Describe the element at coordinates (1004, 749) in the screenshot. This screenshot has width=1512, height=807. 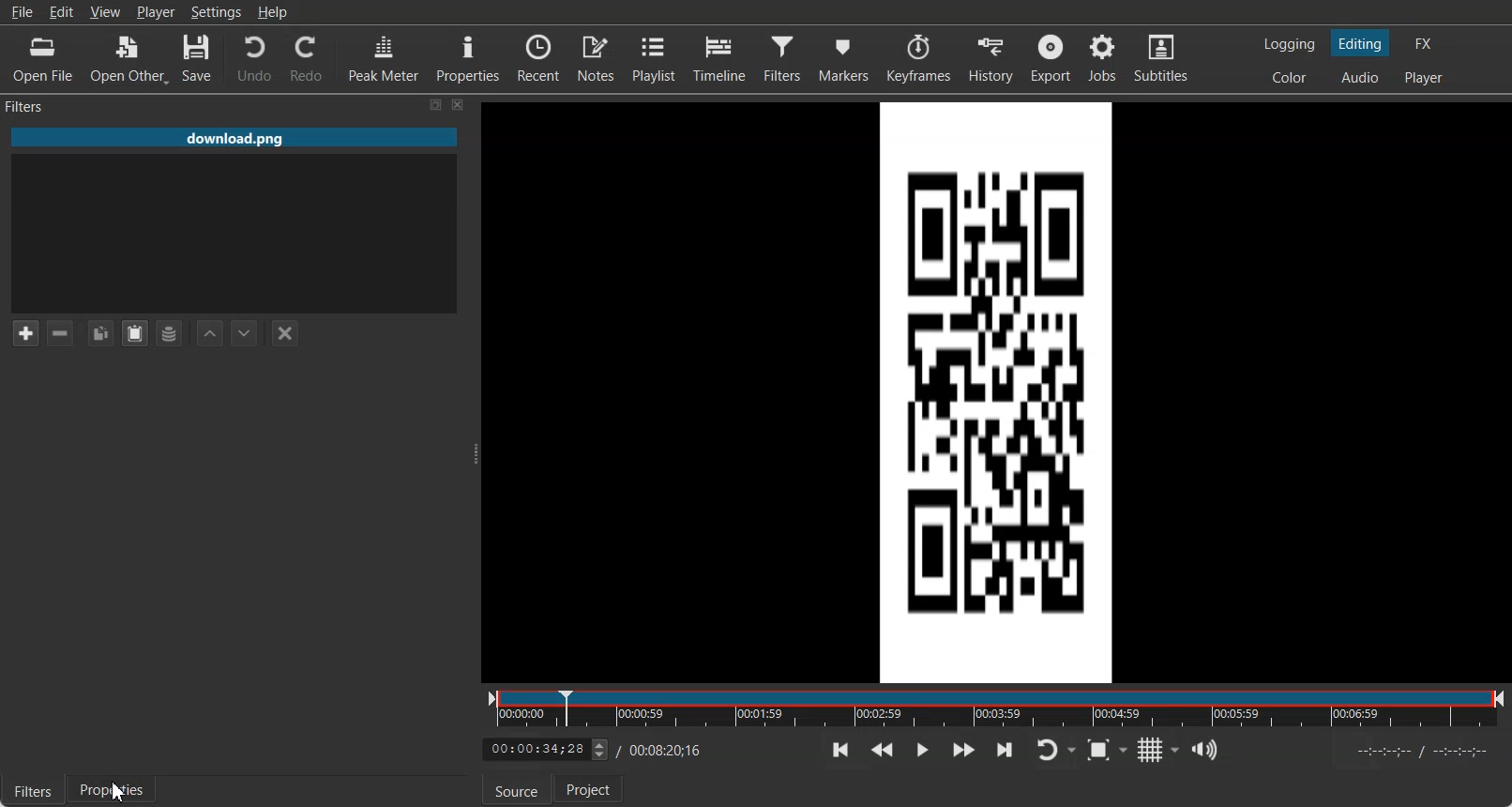
I see `Skip to the next point` at that location.